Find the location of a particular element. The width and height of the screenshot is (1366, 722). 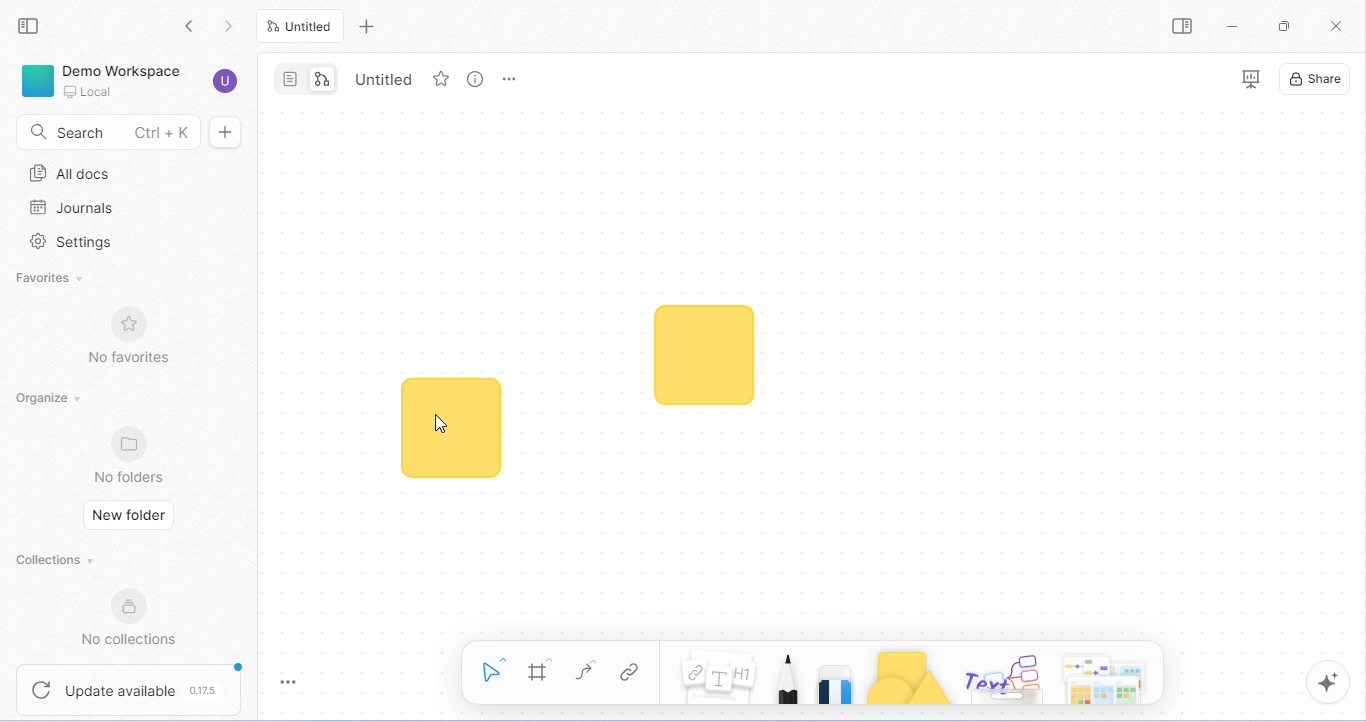

new doc is located at coordinates (225, 132).